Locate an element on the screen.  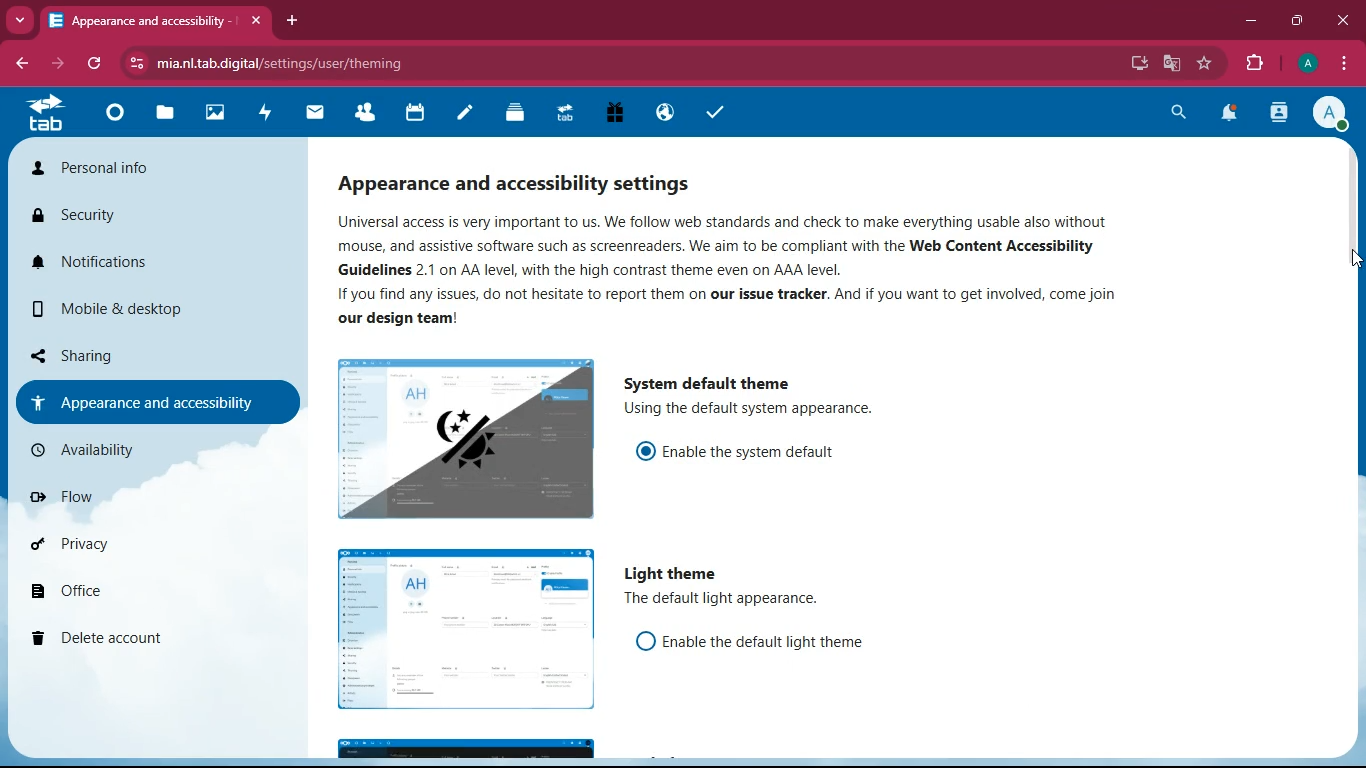
files is located at coordinates (160, 115).